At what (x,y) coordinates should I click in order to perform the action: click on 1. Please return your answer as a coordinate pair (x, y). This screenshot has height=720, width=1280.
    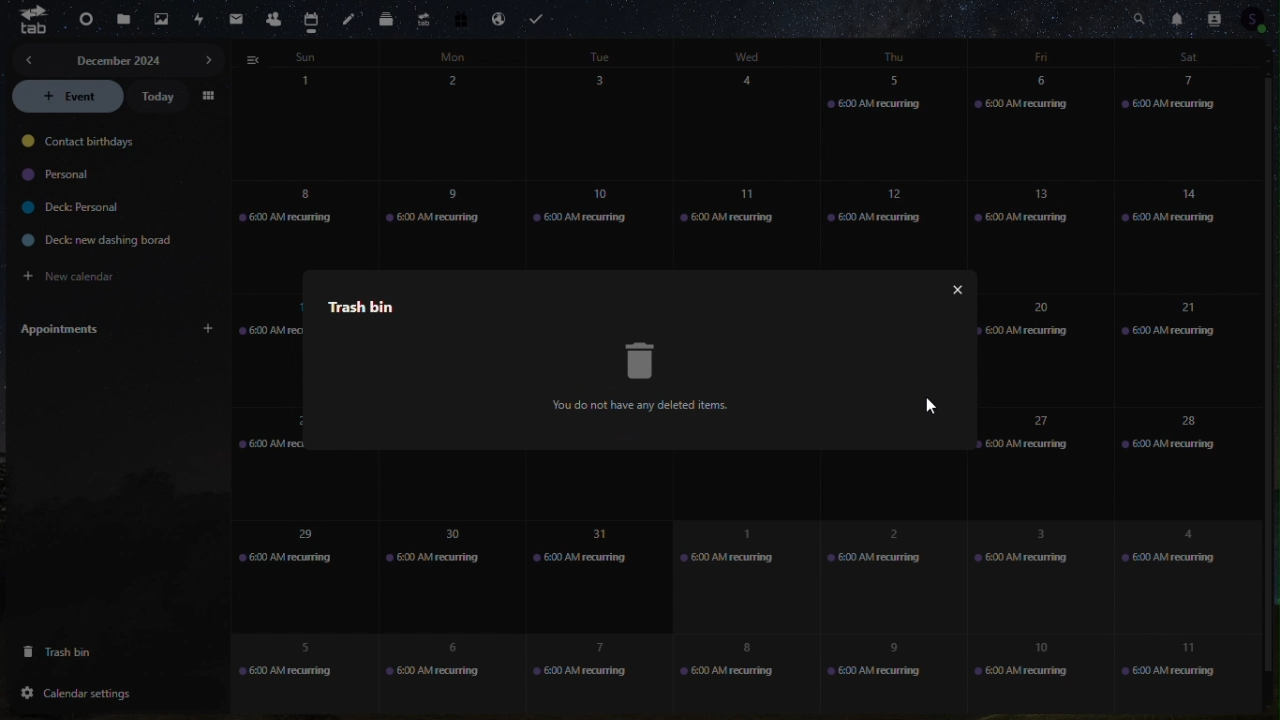
    Looking at the image, I should click on (733, 571).